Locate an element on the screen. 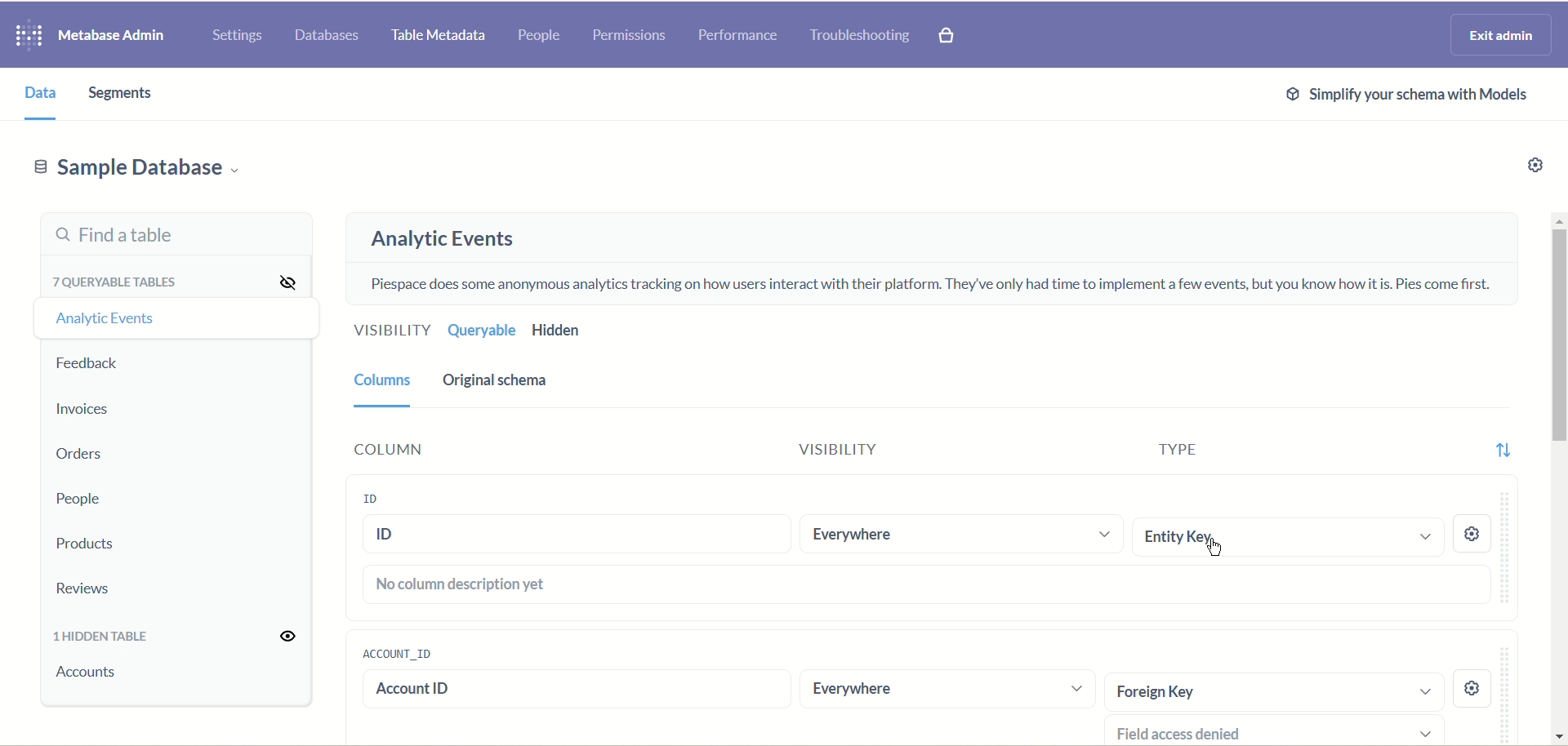 Image resolution: width=1568 pixels, height=746 pixels. Account ID is located at coordinates (567, 691).